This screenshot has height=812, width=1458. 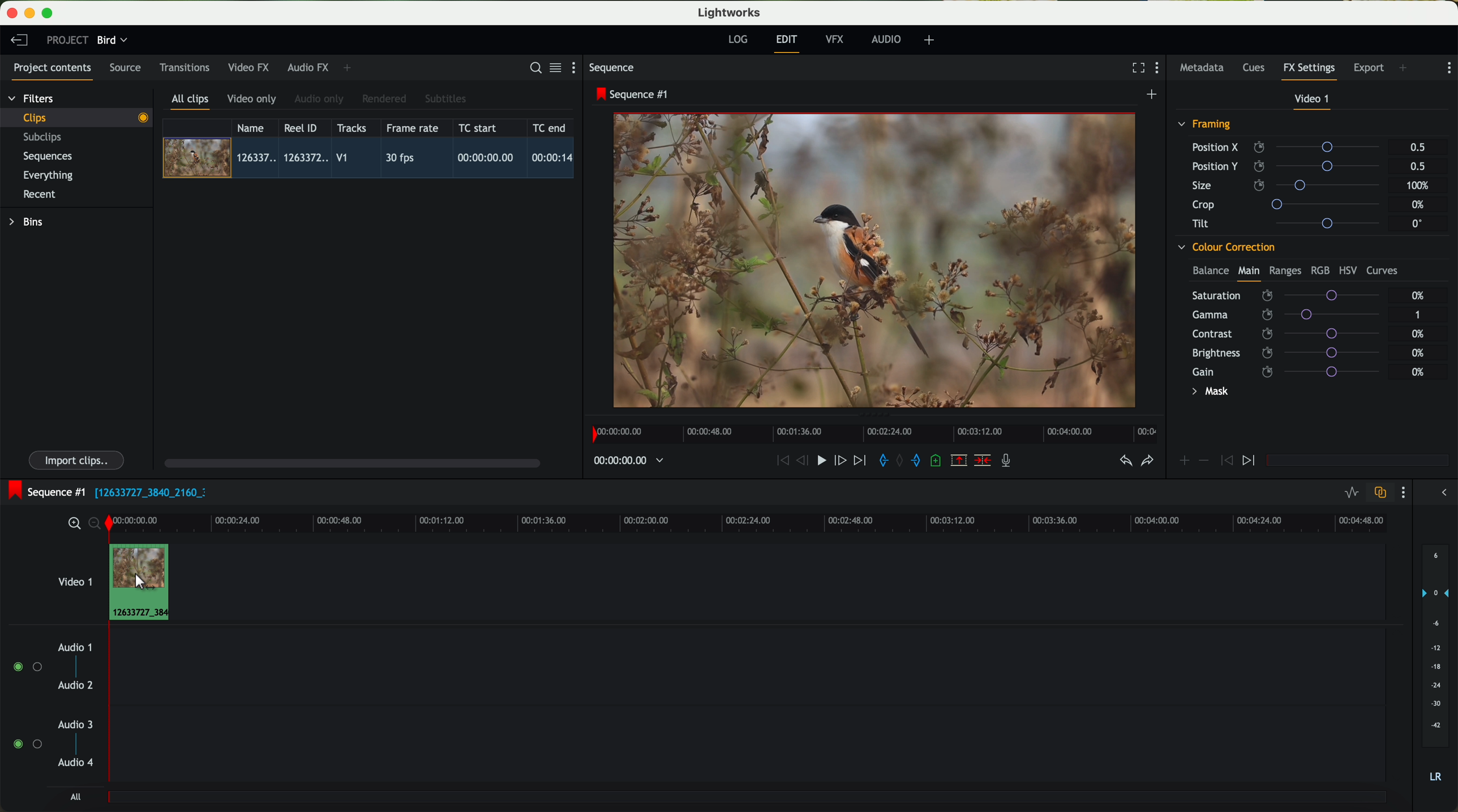 What do you see at coordinates (96, 525) in the screenshot?
I see `zoom out` at bounding box center [96, 525].